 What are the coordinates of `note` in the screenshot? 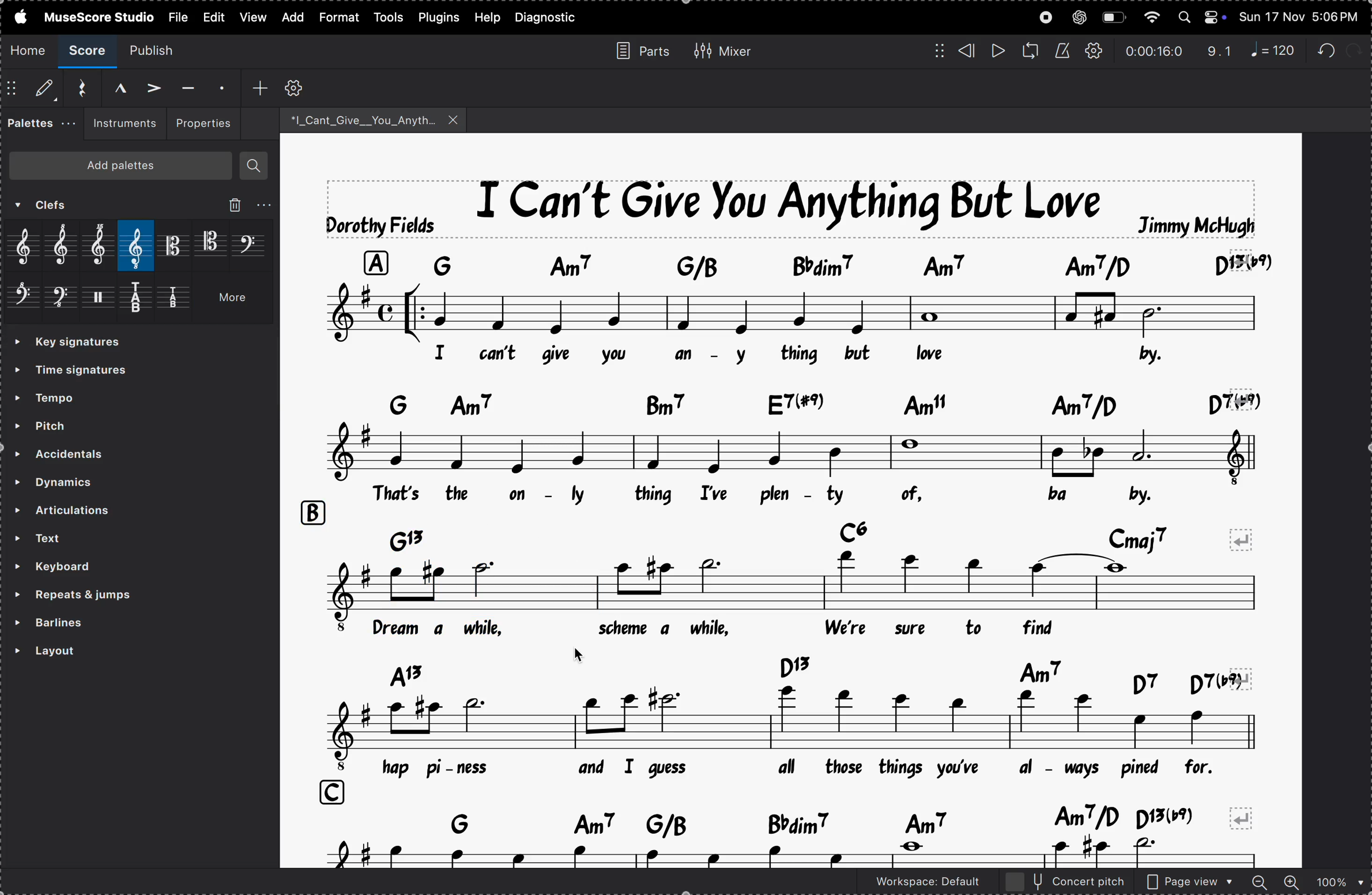 It's located at (1278, 50).